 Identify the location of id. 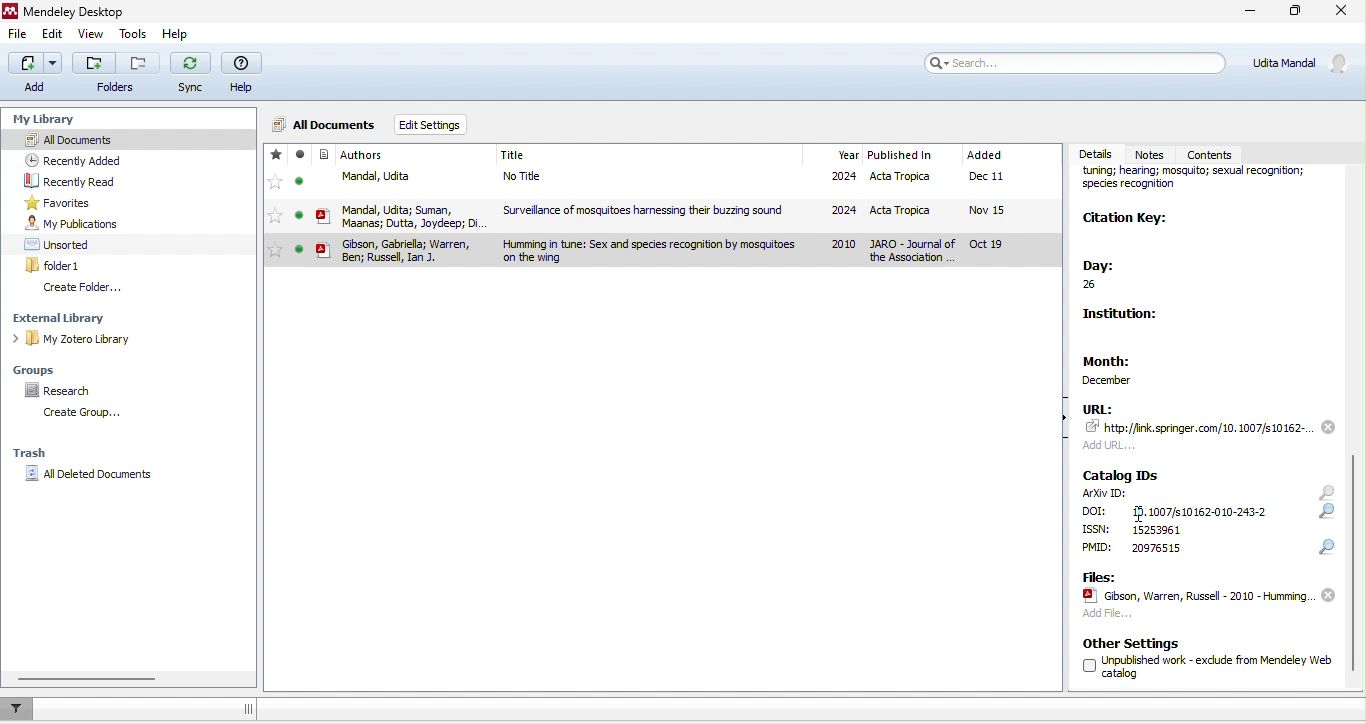
(1197, 510).